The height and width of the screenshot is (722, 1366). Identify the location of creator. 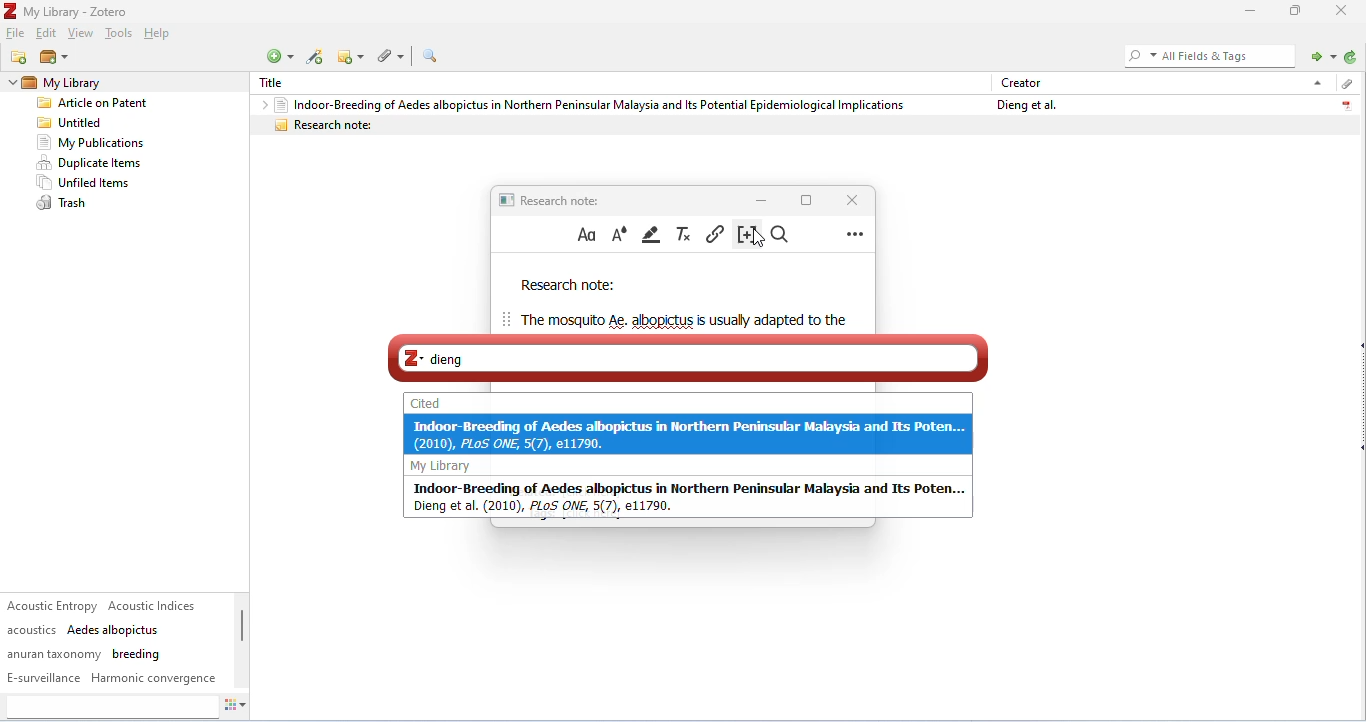
(1022, 82).